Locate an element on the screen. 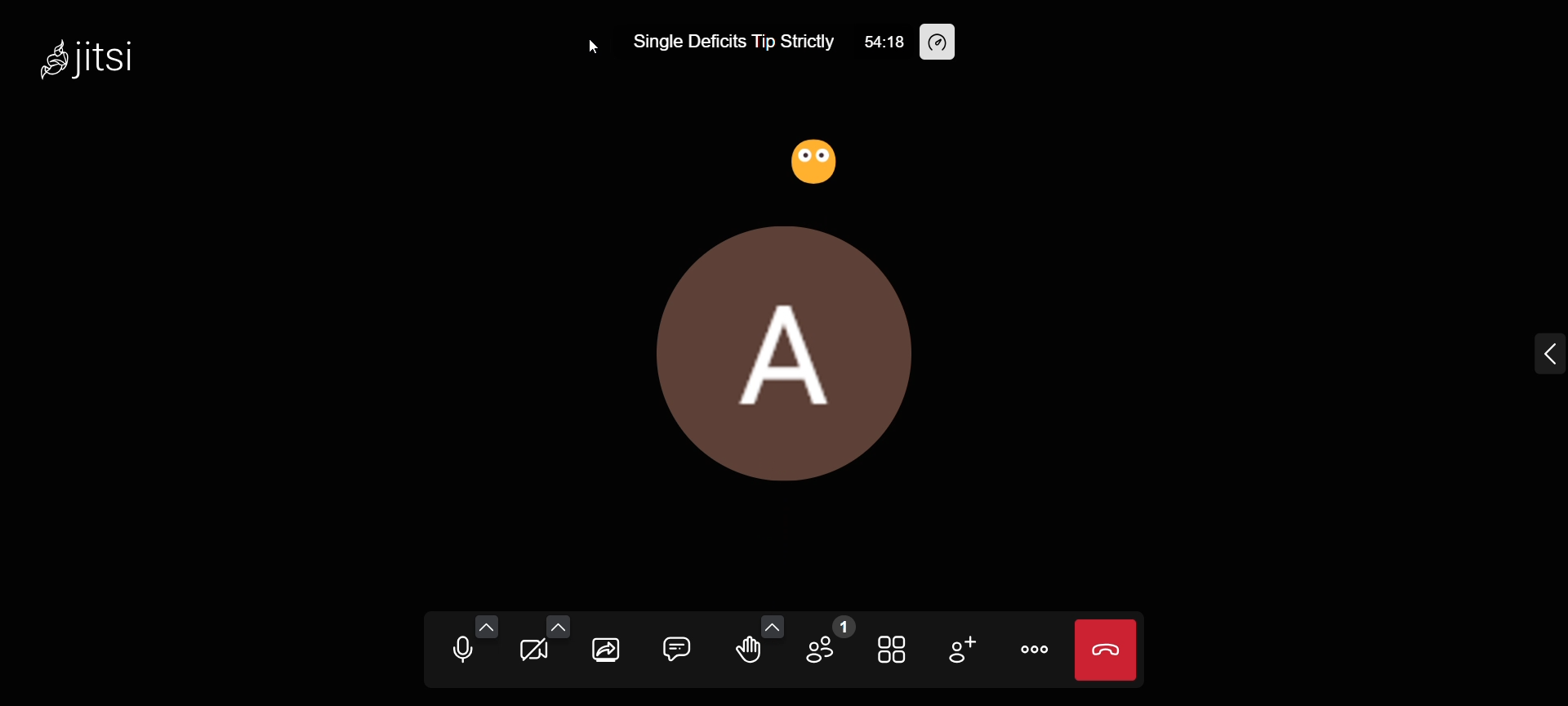 This screenshot has width=1568, height=706. more video setting is located at coordinates (557, 626).